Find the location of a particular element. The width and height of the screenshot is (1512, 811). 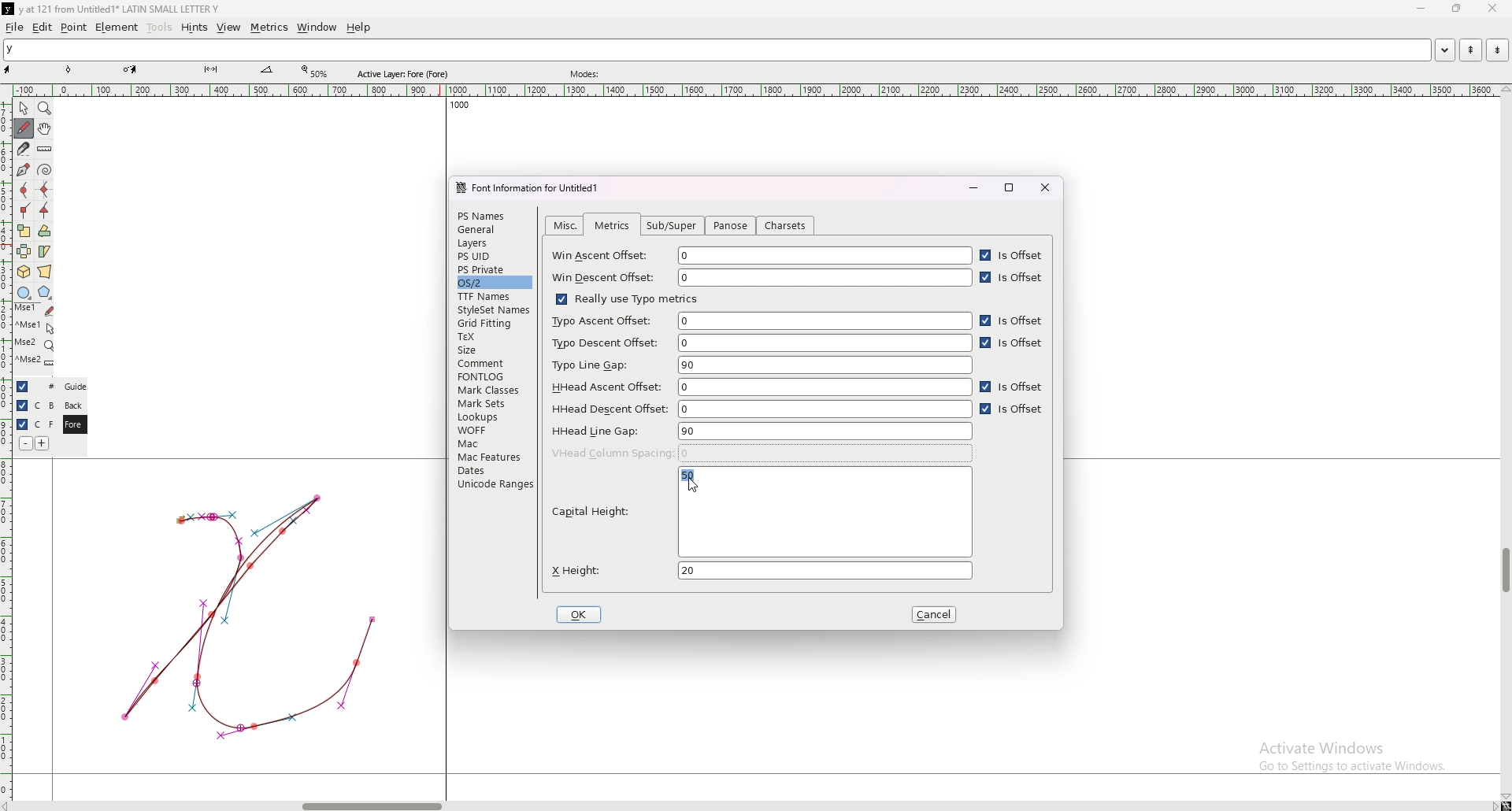

help is located at coordinates (358, 28).